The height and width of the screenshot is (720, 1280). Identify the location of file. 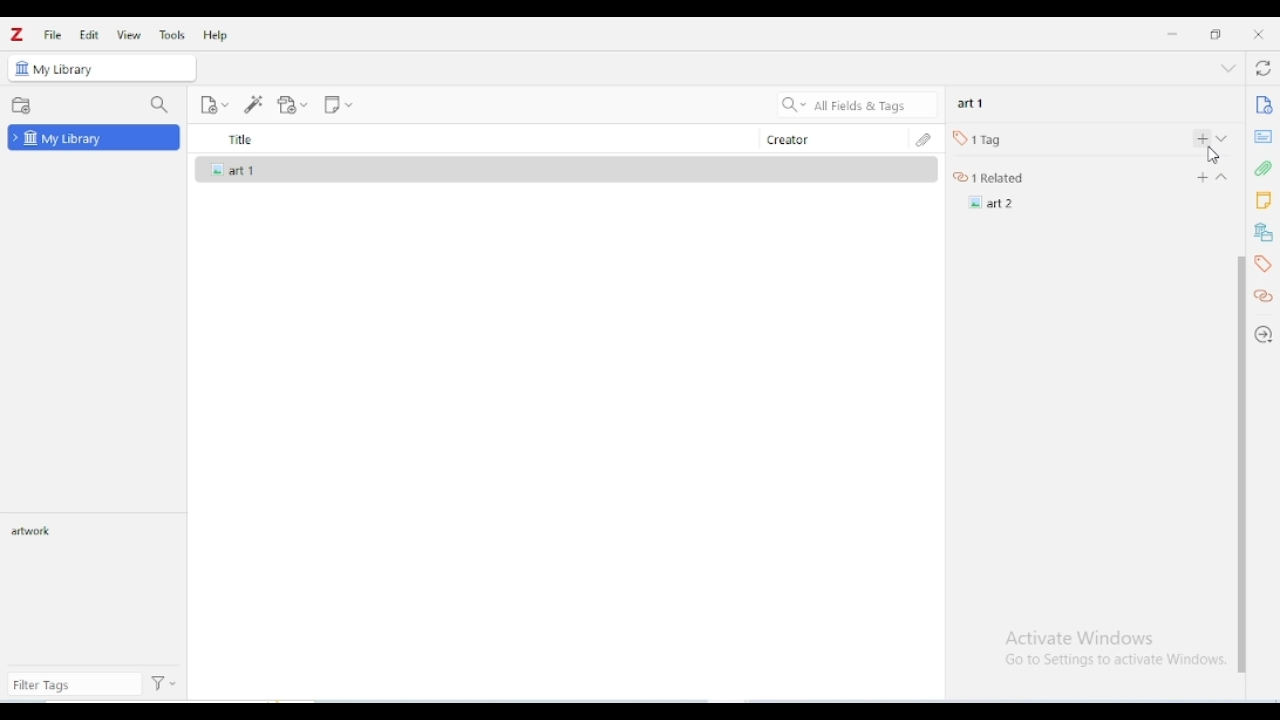
(53, 36).